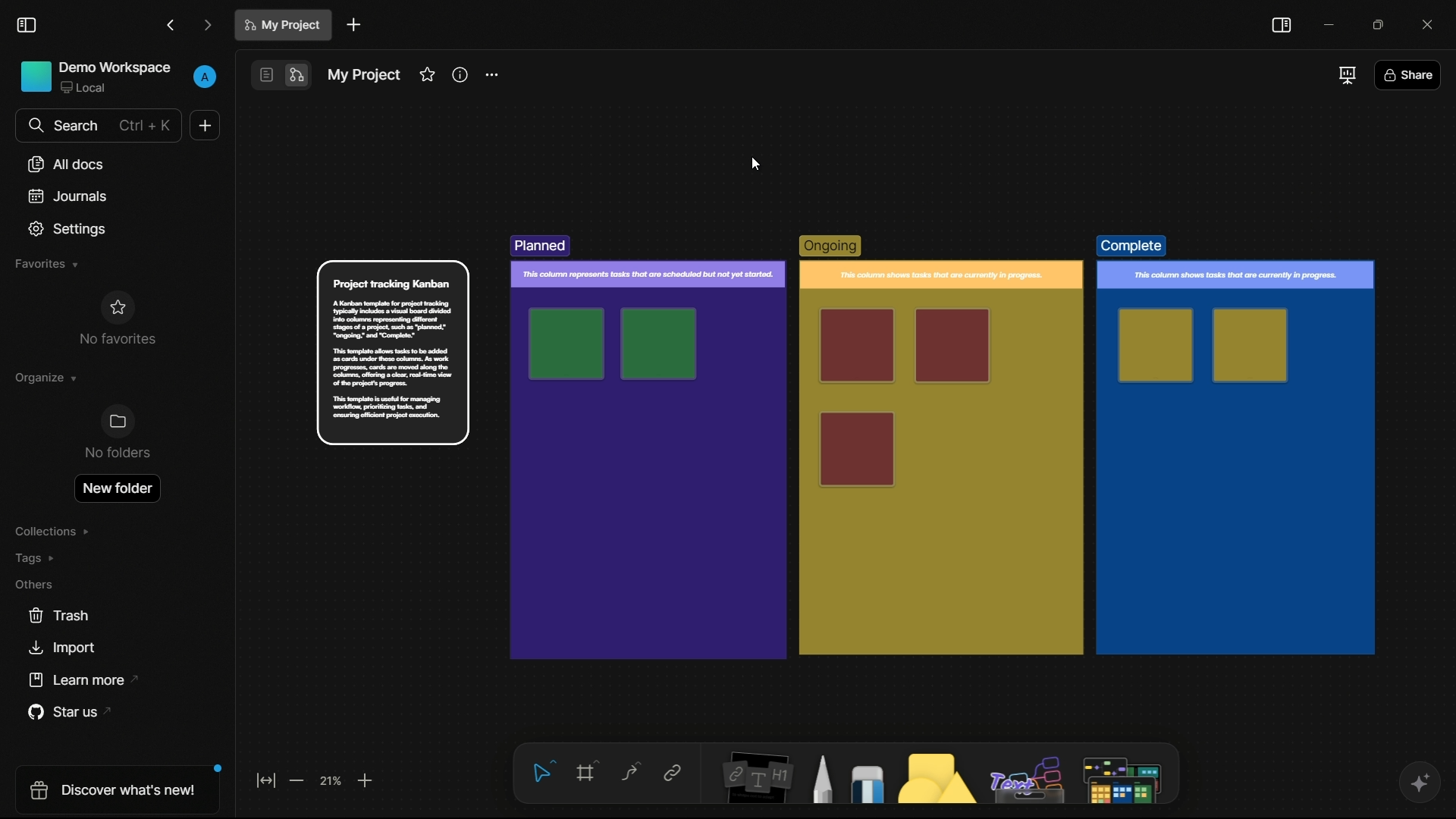 Image resolution: width=1456 pixels, height=819 pixels. What do you see at coordinates (205, 125) in the screenshot?
I see `new document` at bounding box center [205, 125].